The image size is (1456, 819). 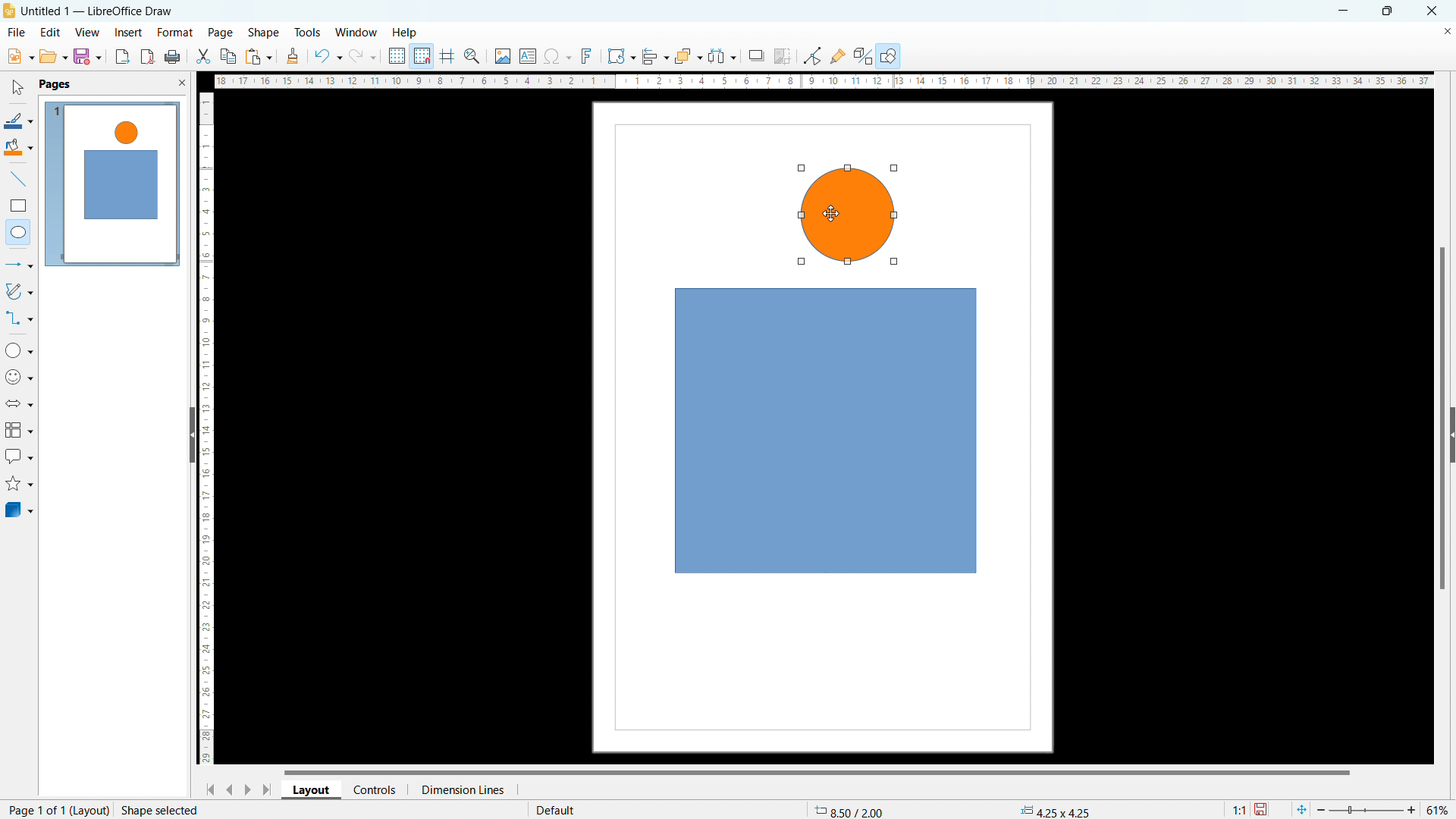 I want to click on view, so click(x=87, y=33).